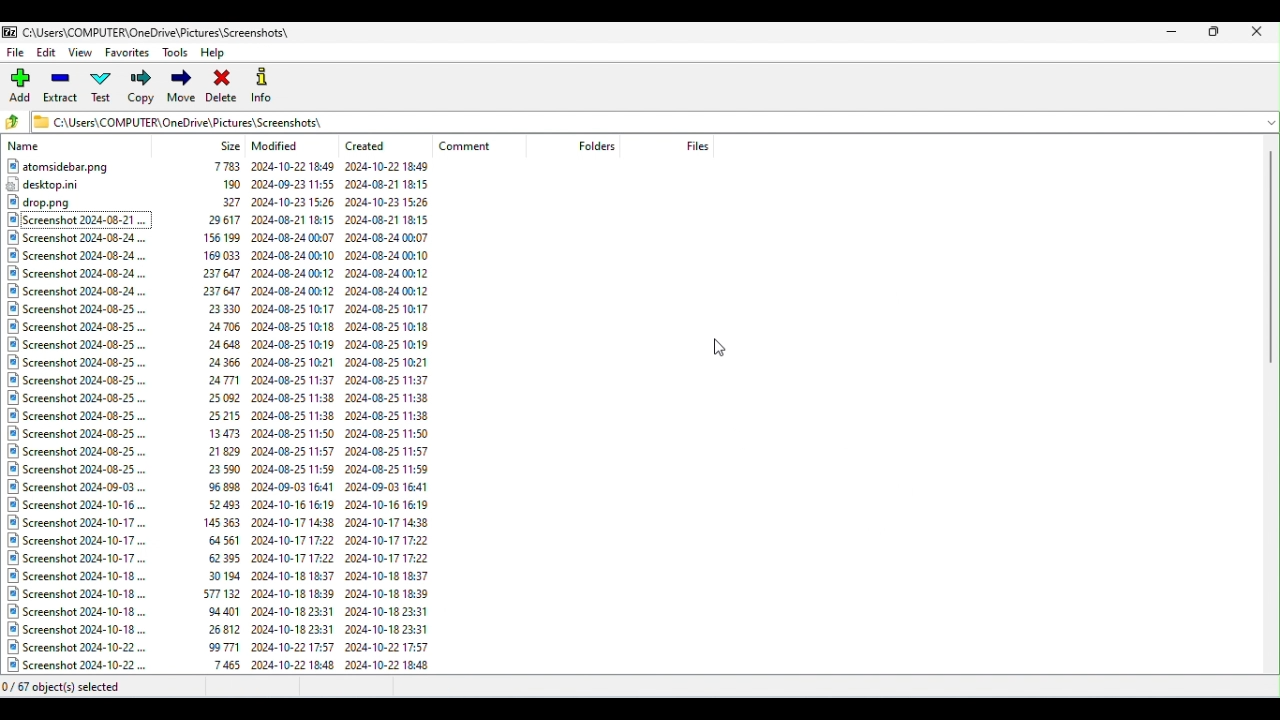 The width and height of the screenshot is (1280, 720). What do you see at coordinates (17, 52) in the screenshot?
I see `File` at bounding box center [17, 52].